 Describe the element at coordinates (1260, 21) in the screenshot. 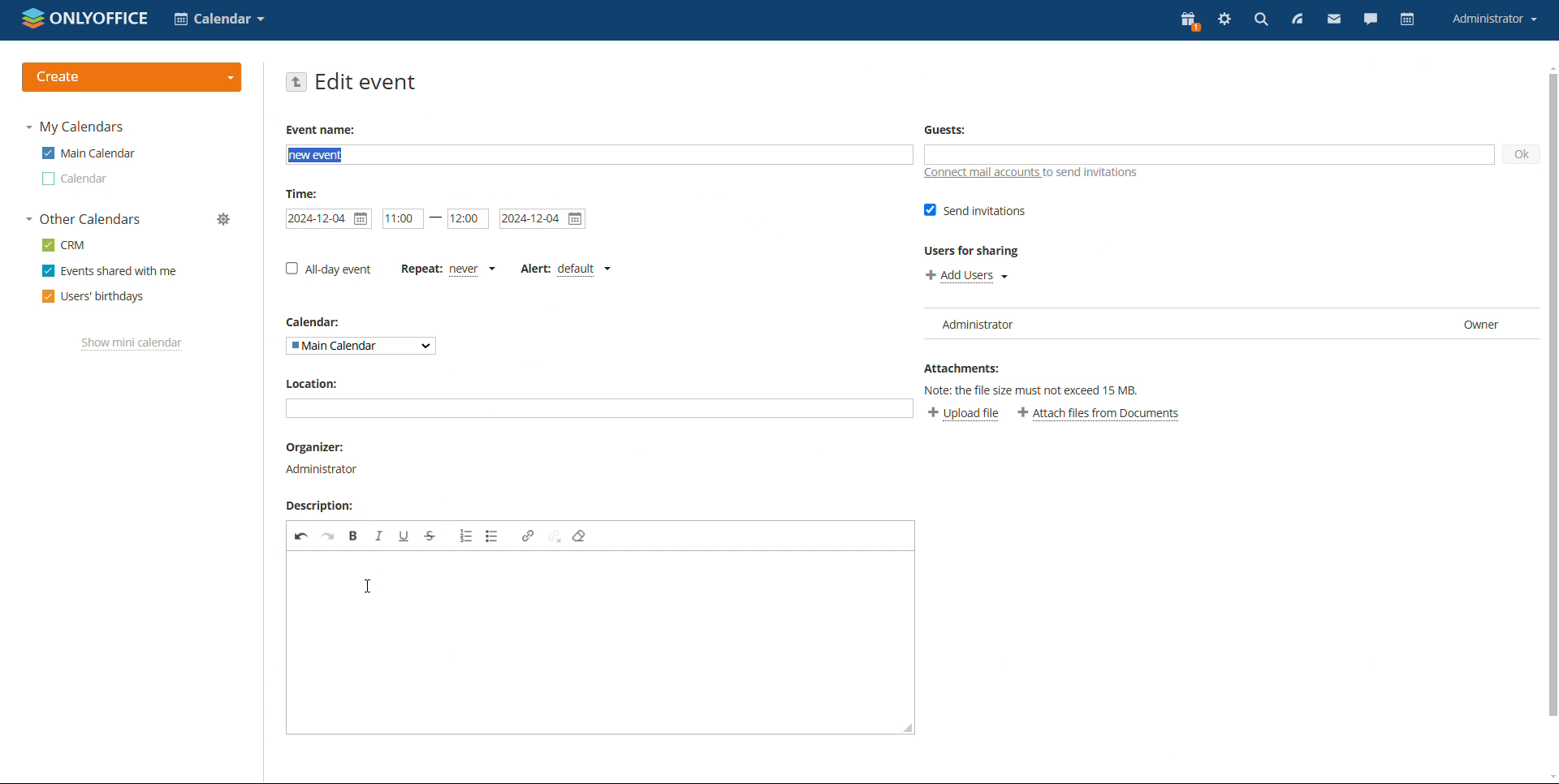

I see `search` at that location.